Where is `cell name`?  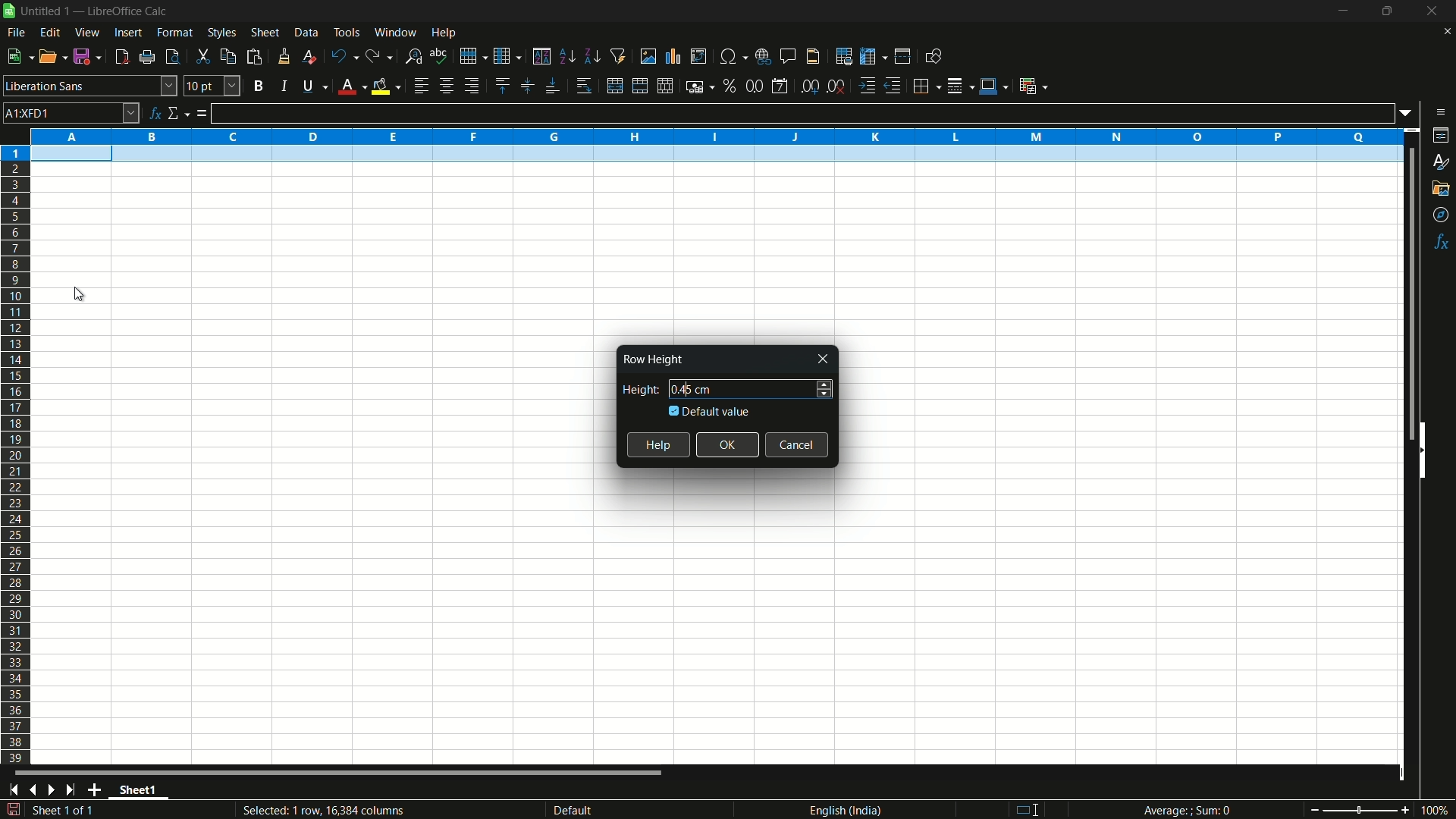
cell name is located at coordinates (71, 112).